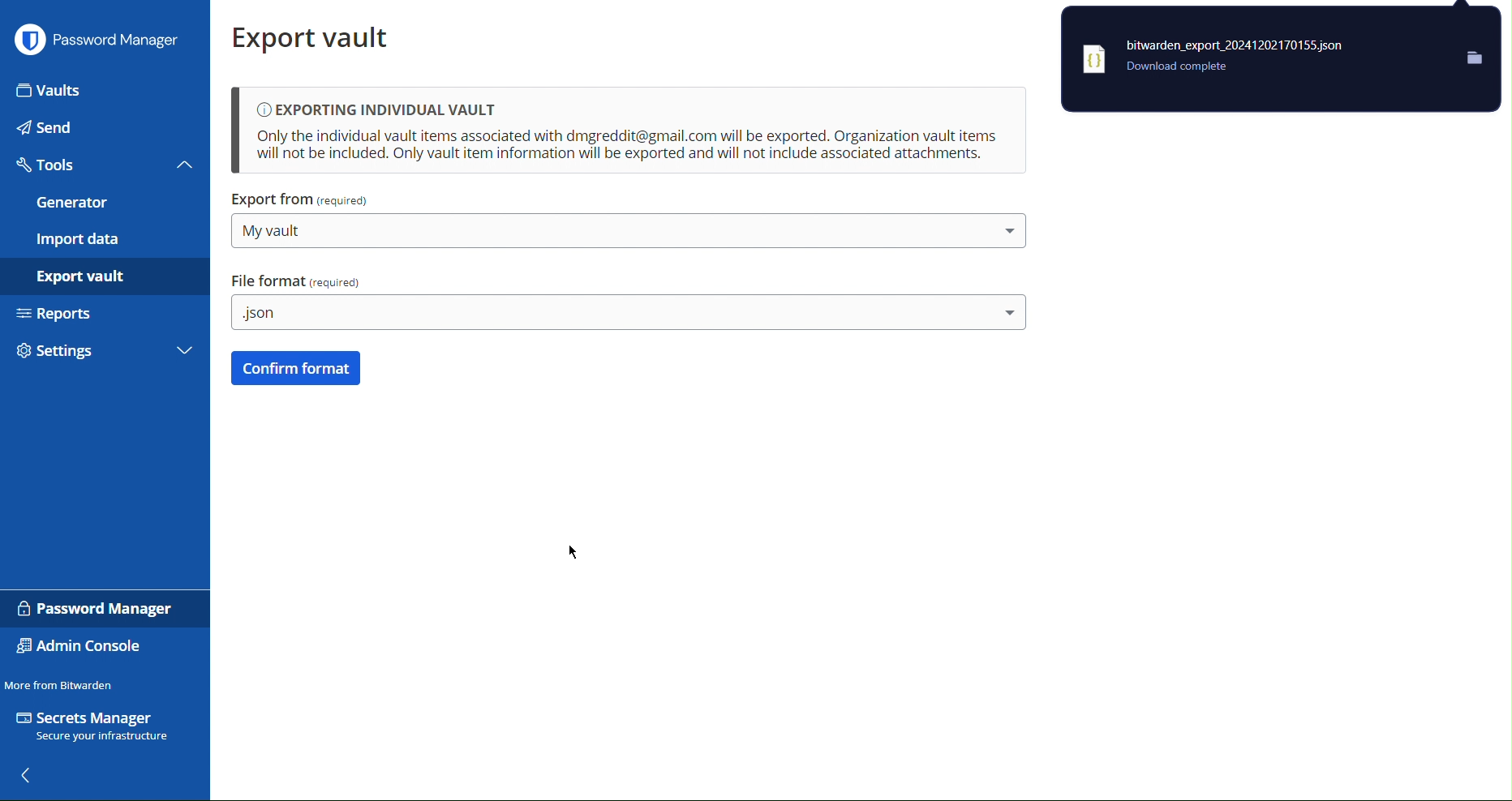  I want to click on cursor, so click(577, 550).